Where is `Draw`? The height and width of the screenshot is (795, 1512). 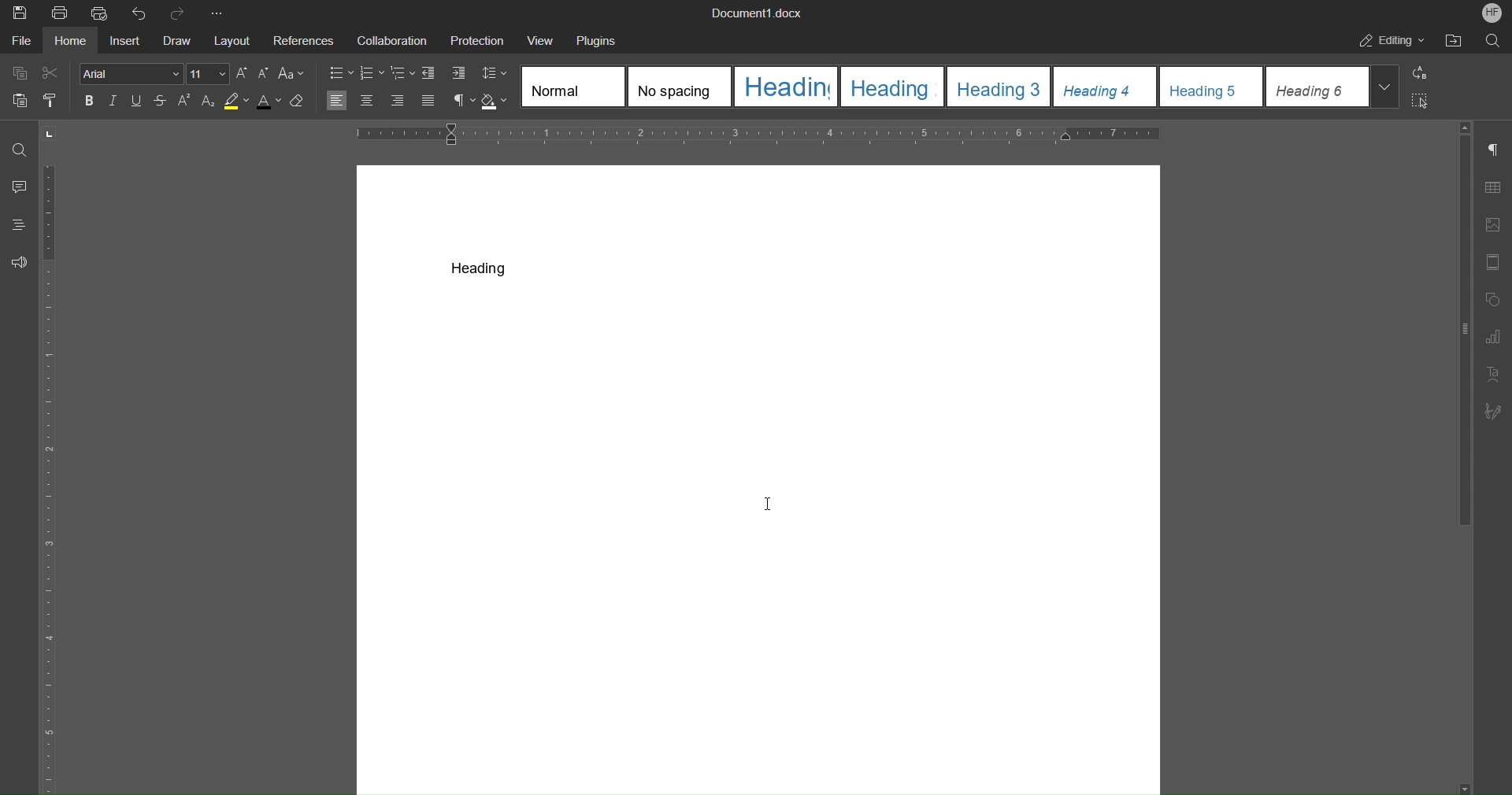
Draw is located at coordinates (176, 40).